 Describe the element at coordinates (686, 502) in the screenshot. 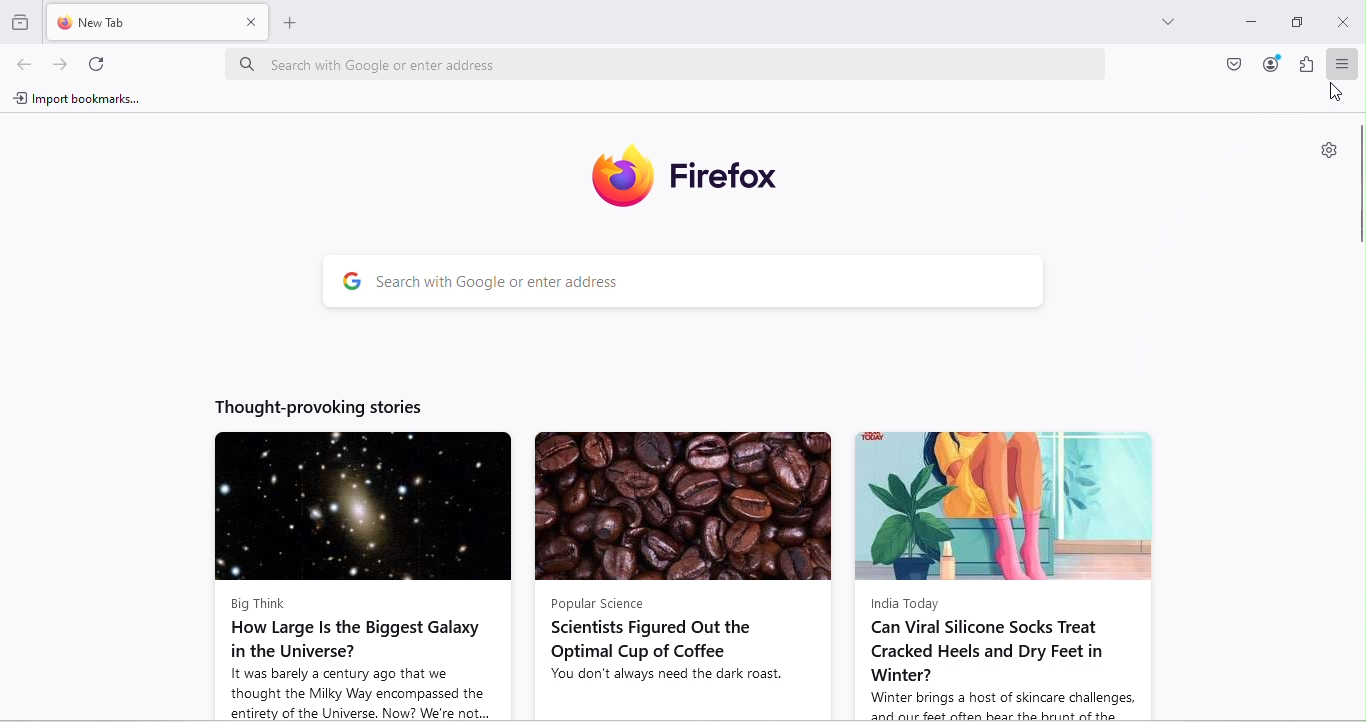

I see `Image` at that location.